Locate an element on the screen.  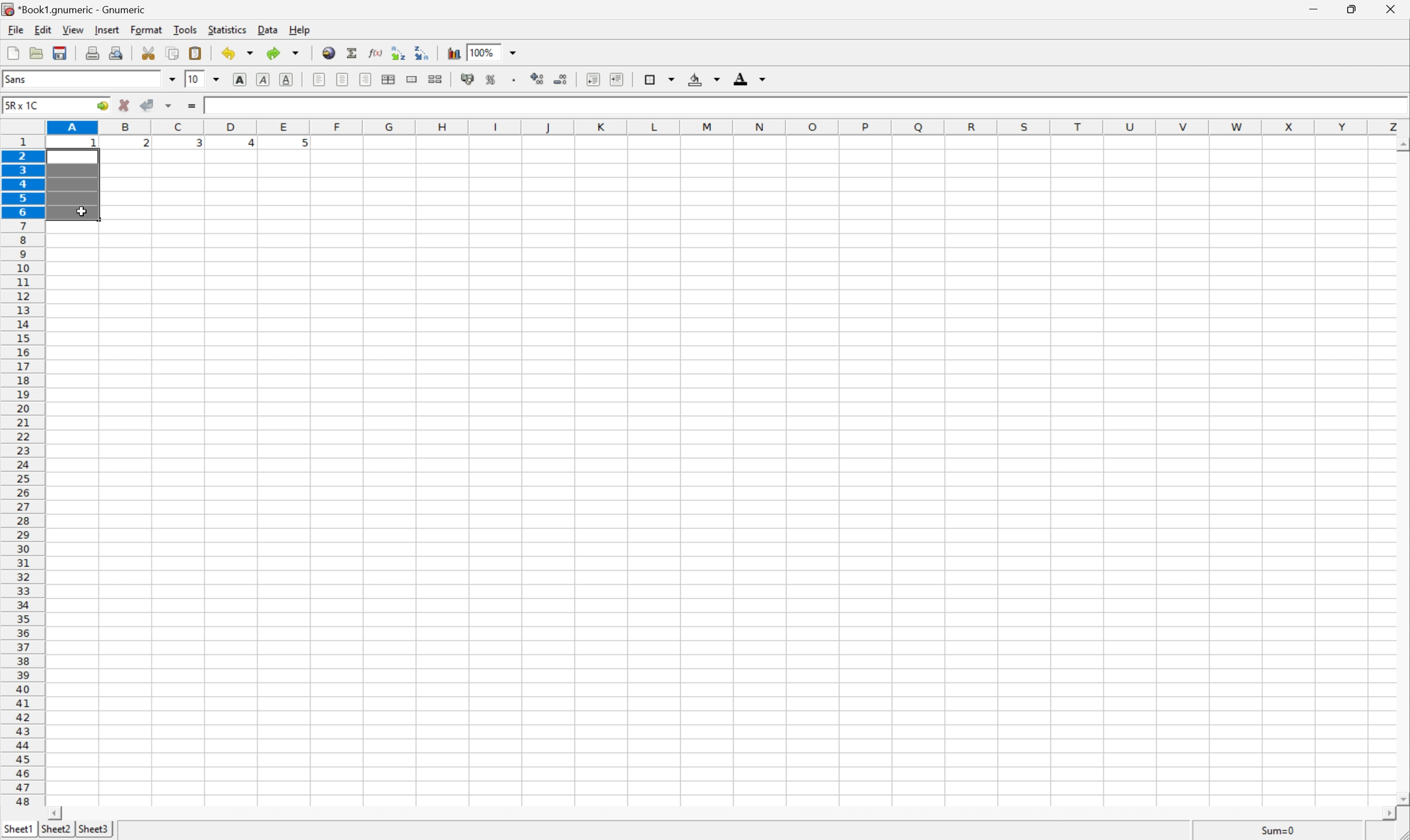
font is located at coordinates (20, 81).